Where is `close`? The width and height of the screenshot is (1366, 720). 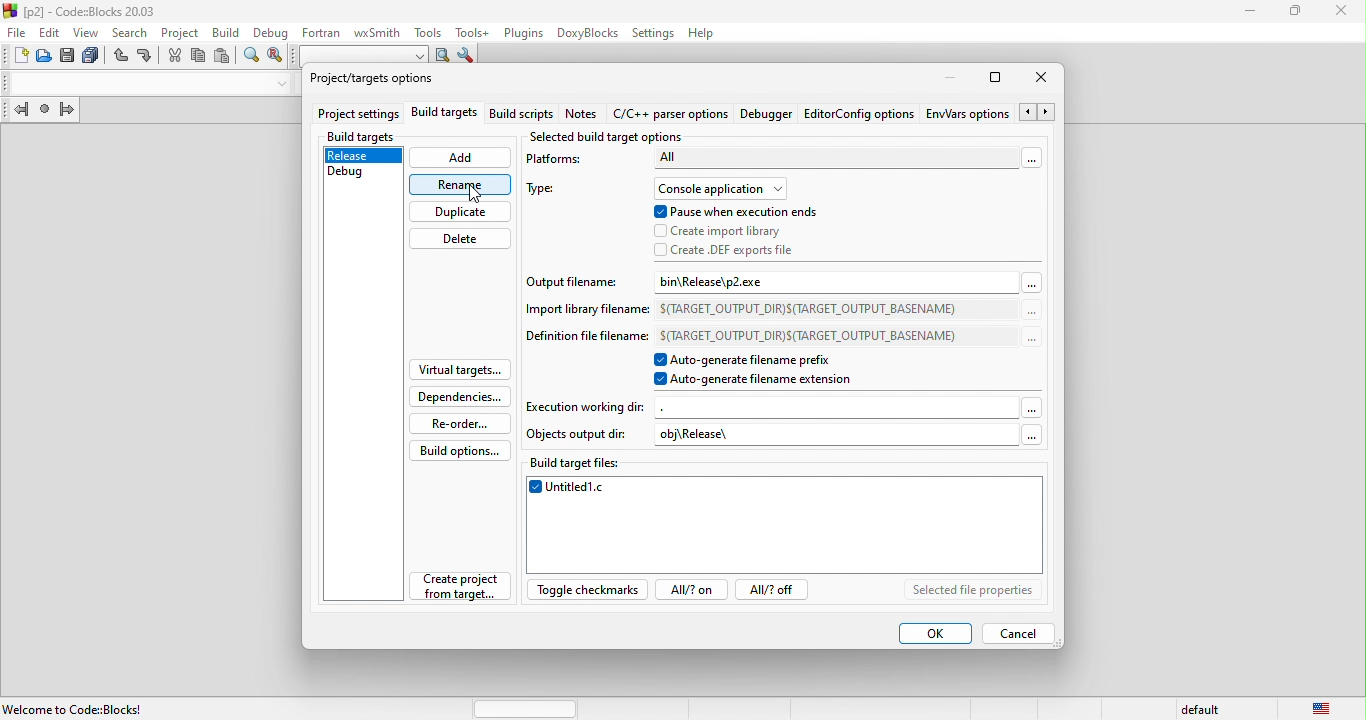 close is located at coordinates (1047, 79).